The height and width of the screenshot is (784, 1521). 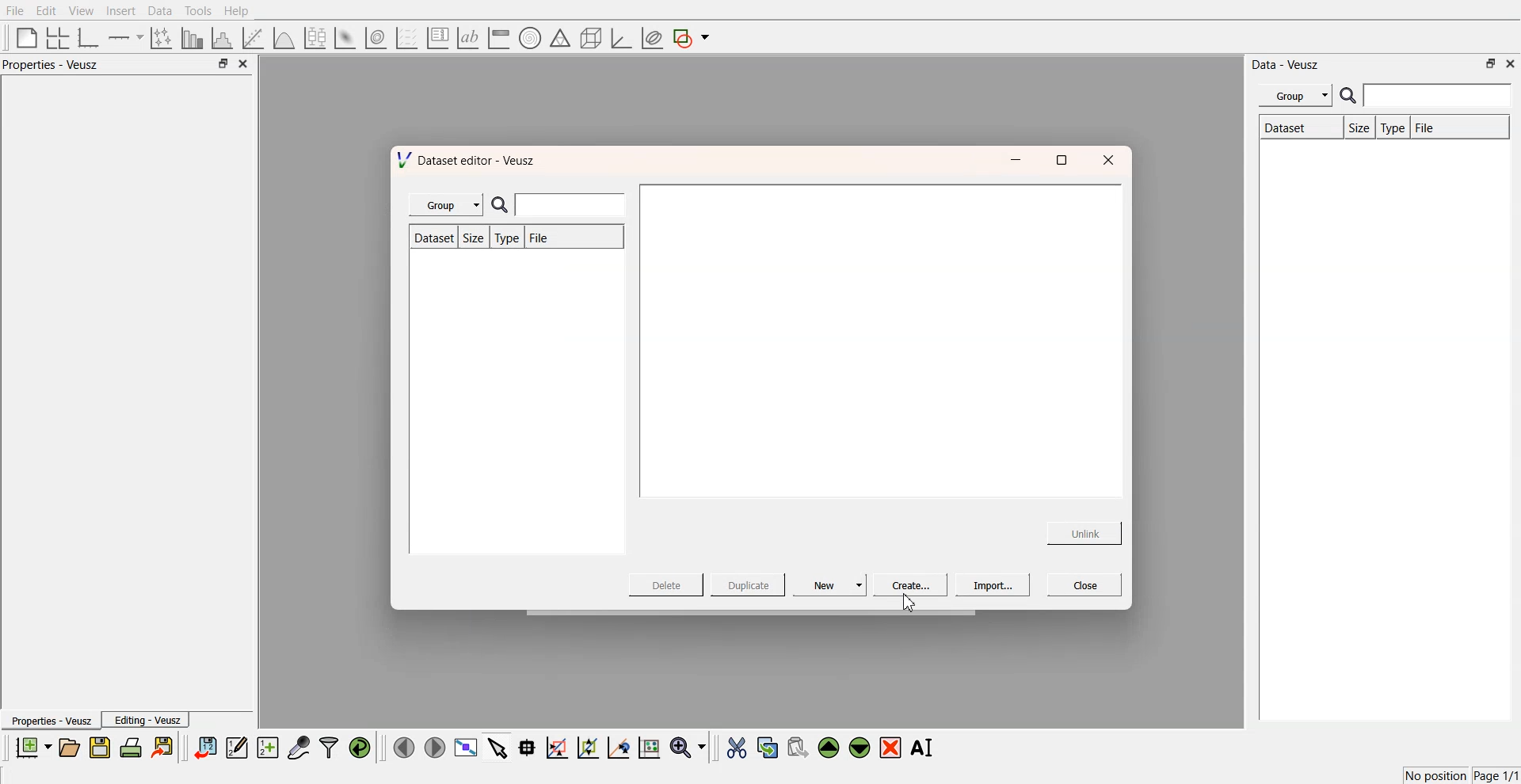 I want to click on import data sets, so click(x=204, y=748).